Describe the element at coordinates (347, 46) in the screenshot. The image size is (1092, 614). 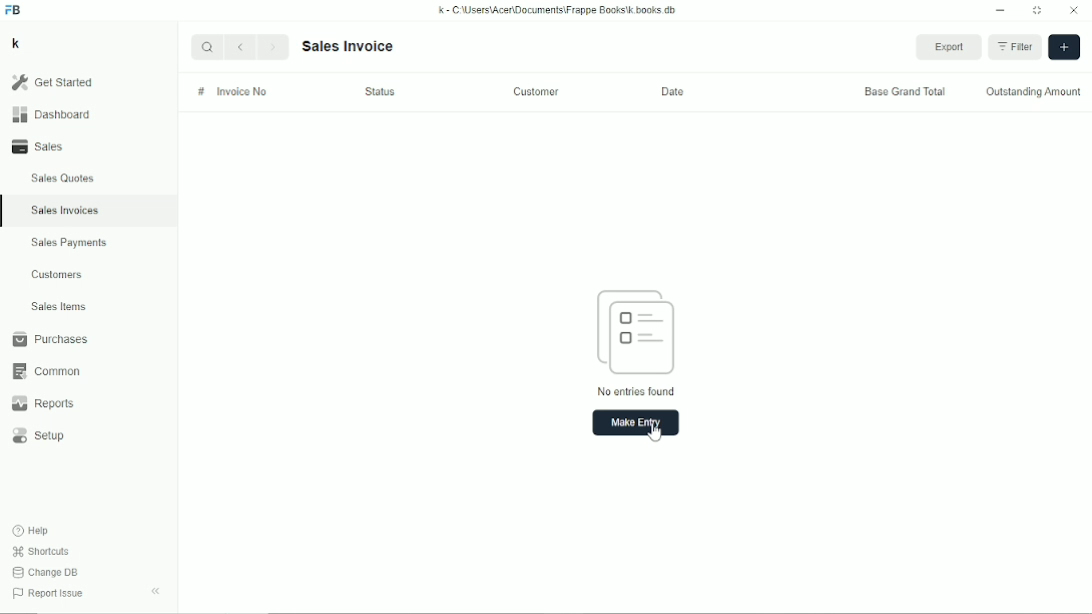
I see `Sales invoice` at that location.